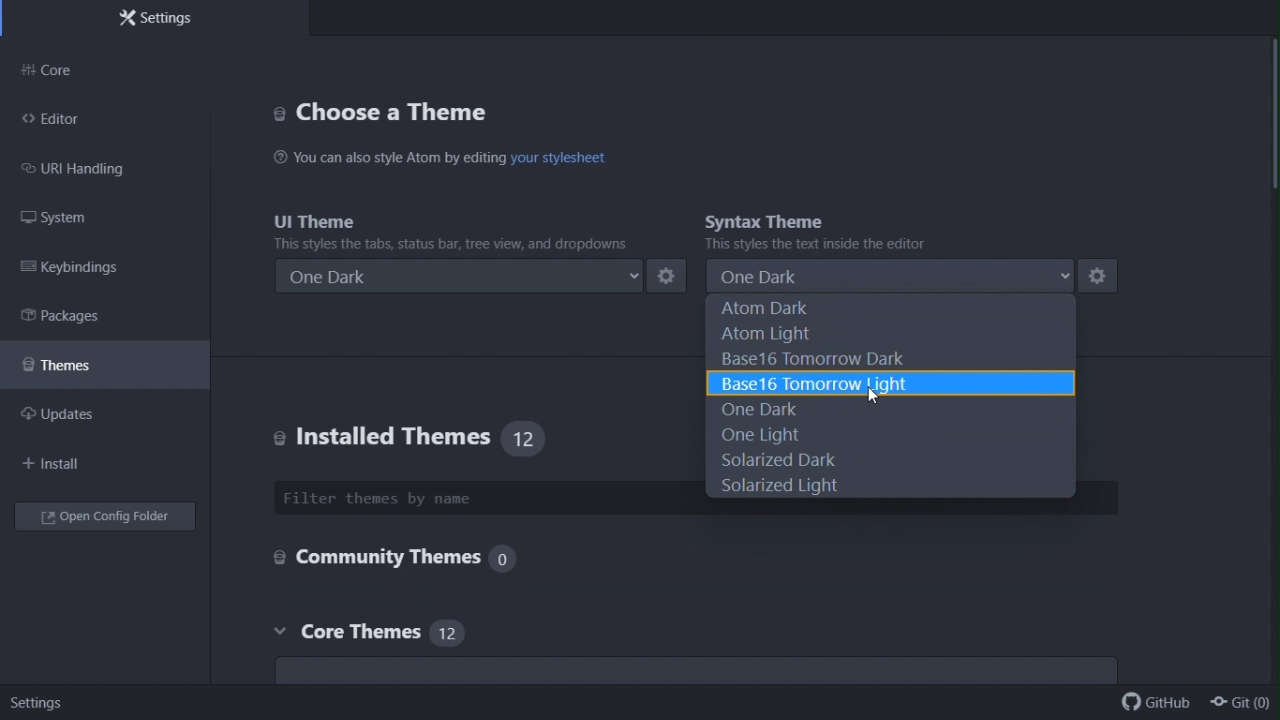 The width and height of the screenshot is (1280, 720). I want to click on vertical scroll bar, so click(1272, 118).